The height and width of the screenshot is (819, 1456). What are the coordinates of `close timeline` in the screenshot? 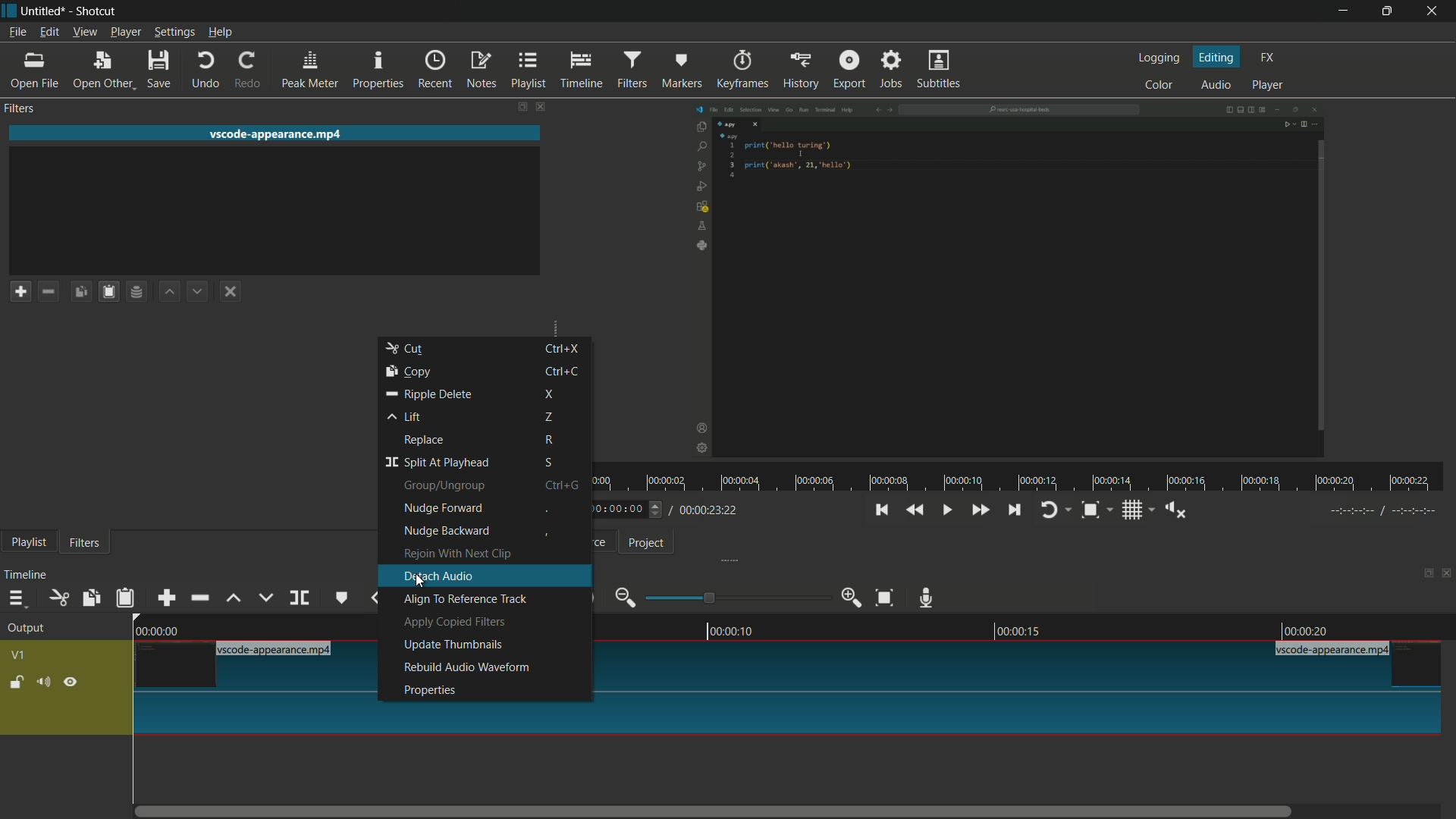 It's located at (1447, 573).